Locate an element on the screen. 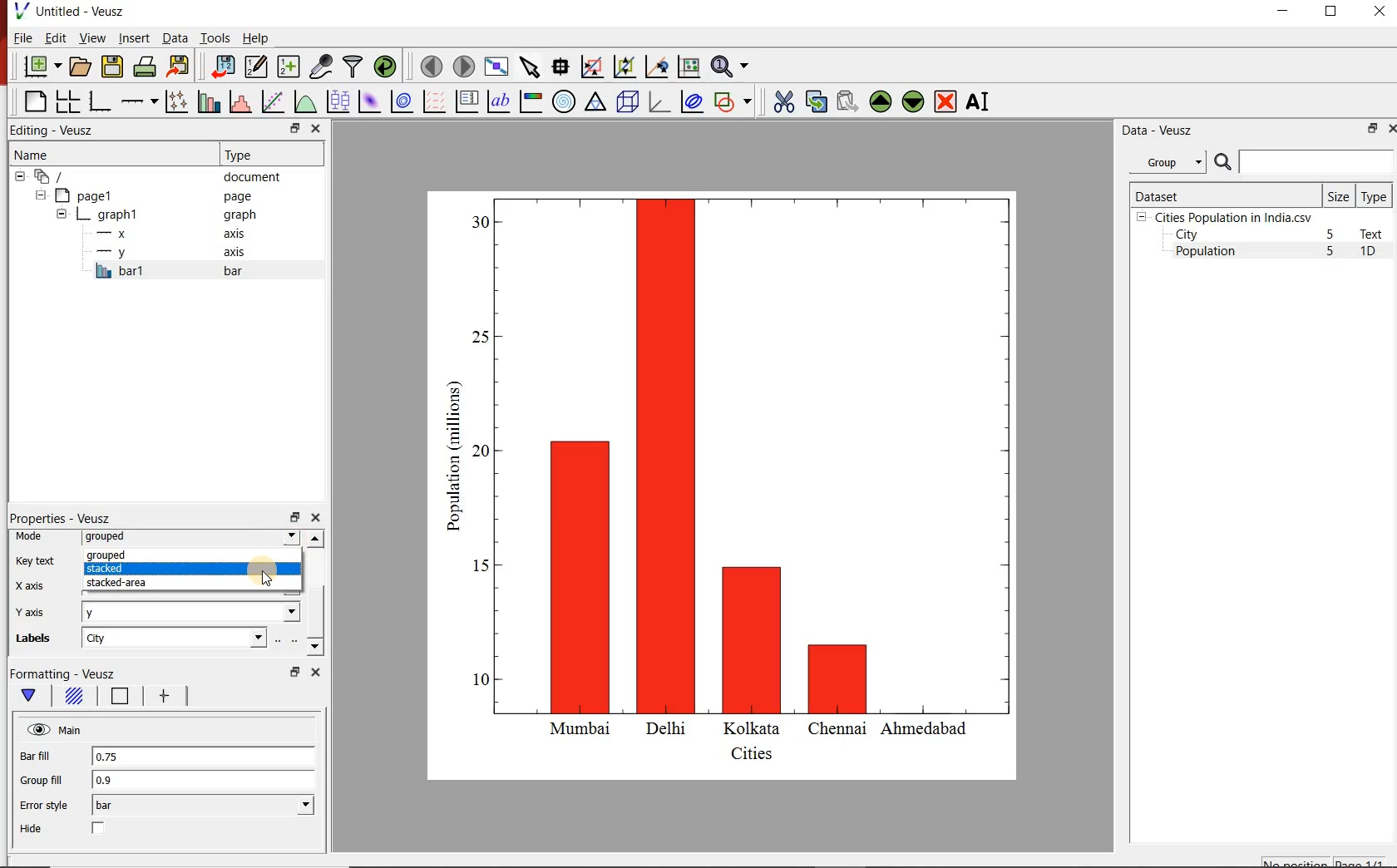 Image resolution: width=1397 pixels, height=868 pixels. x axis is located at coordinates (173, 234).